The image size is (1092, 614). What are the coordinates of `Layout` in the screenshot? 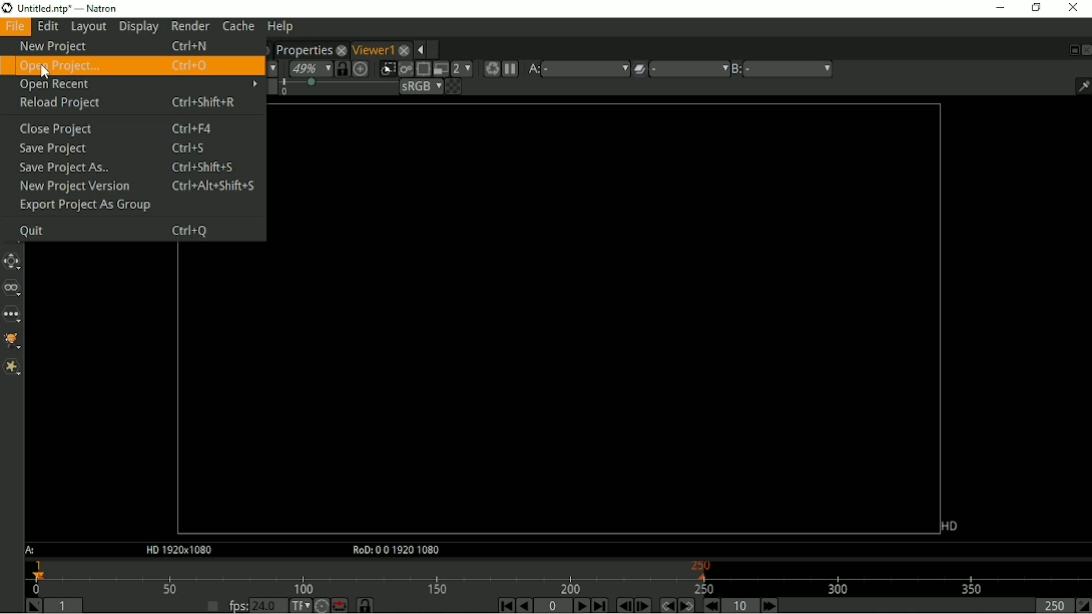 It's located at (88, 27).